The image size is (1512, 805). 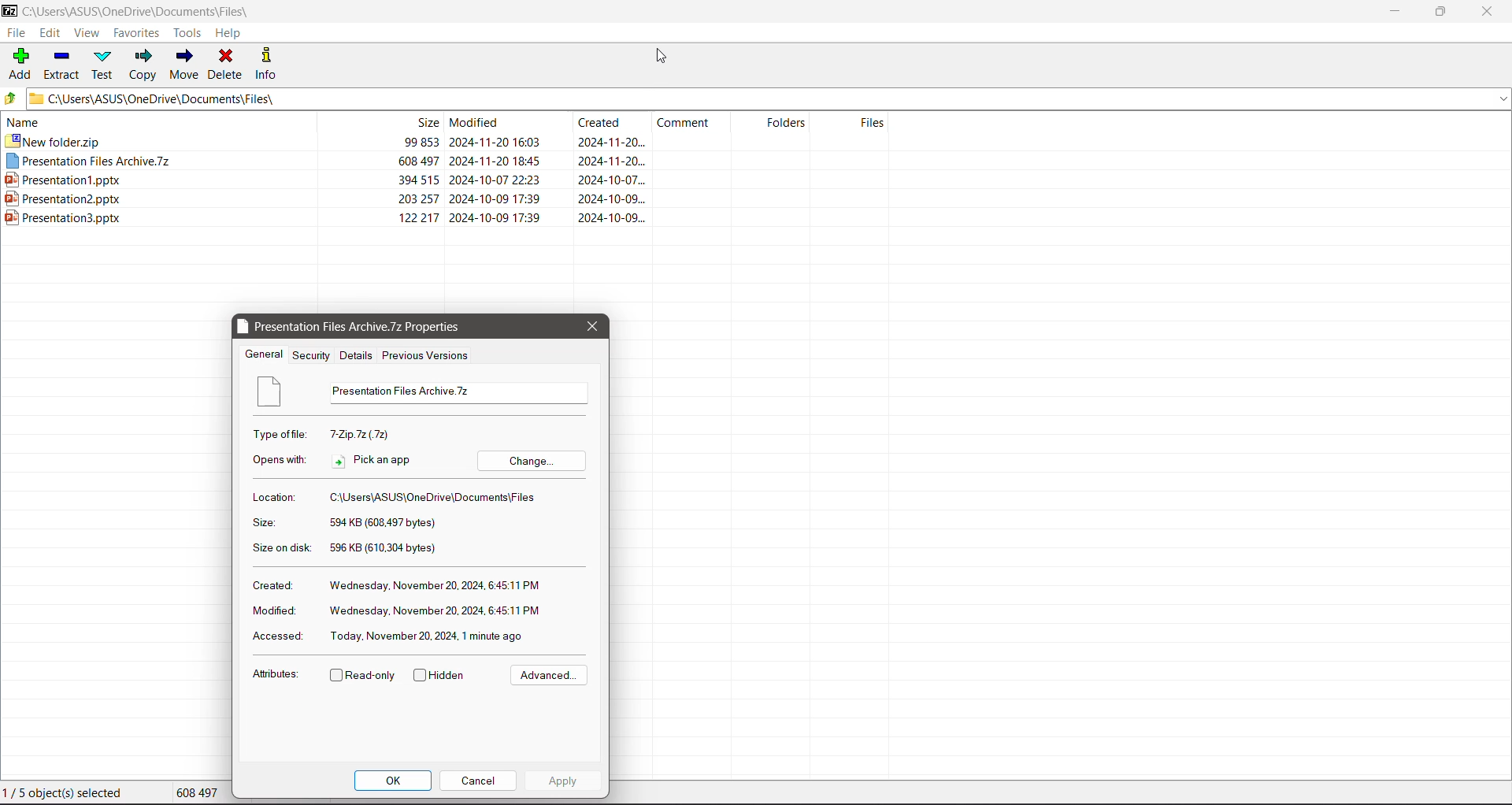 What do you see at coordinates (197, 792) in the screenshot?
I see `608 497` at bounding box center [197, 792].